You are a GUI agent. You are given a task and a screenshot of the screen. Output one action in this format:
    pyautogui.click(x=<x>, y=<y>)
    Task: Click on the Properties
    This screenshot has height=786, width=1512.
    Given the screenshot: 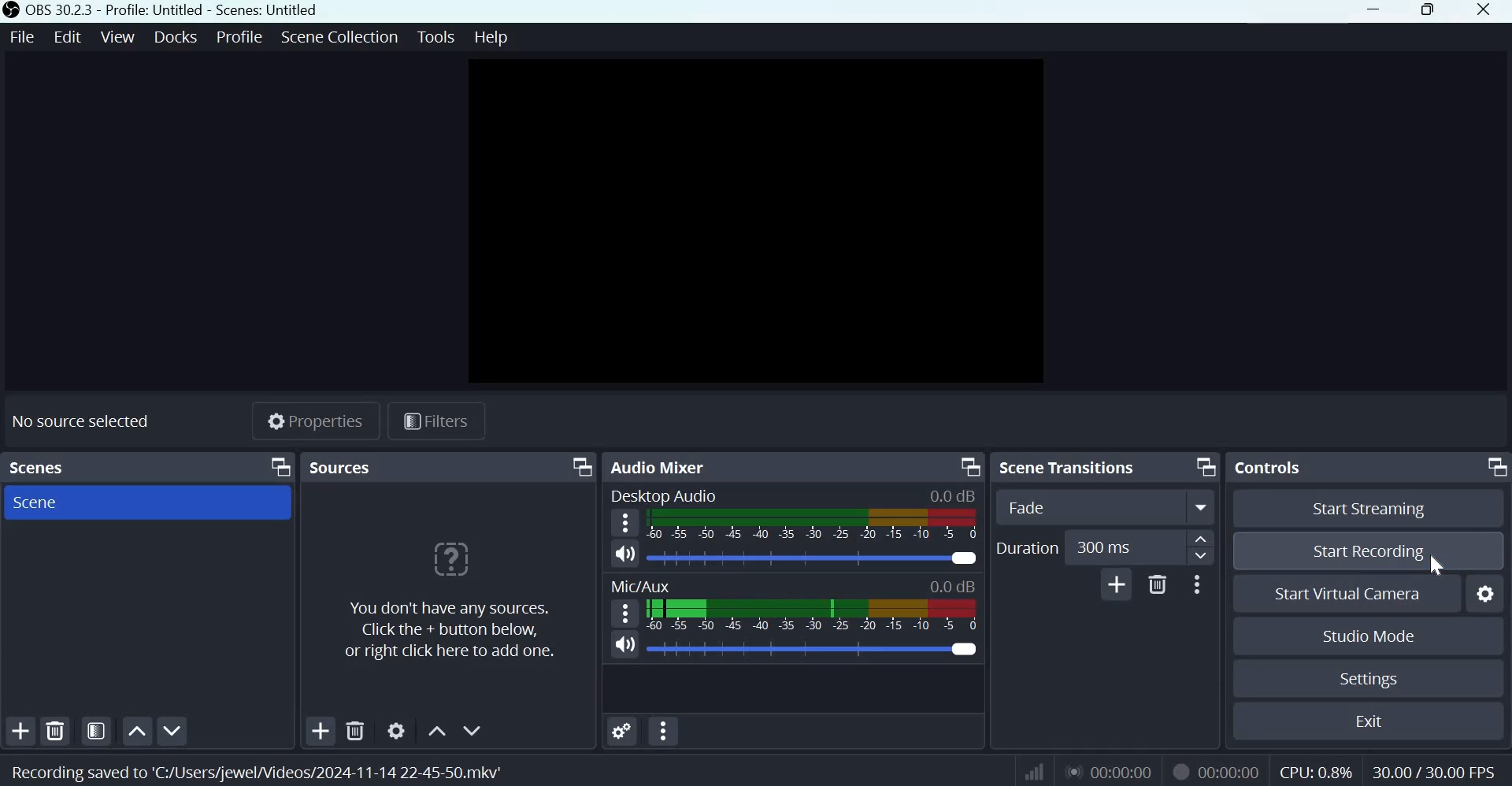 What is the action you would take?
    pyautogui.click(x=316, y=420)
    